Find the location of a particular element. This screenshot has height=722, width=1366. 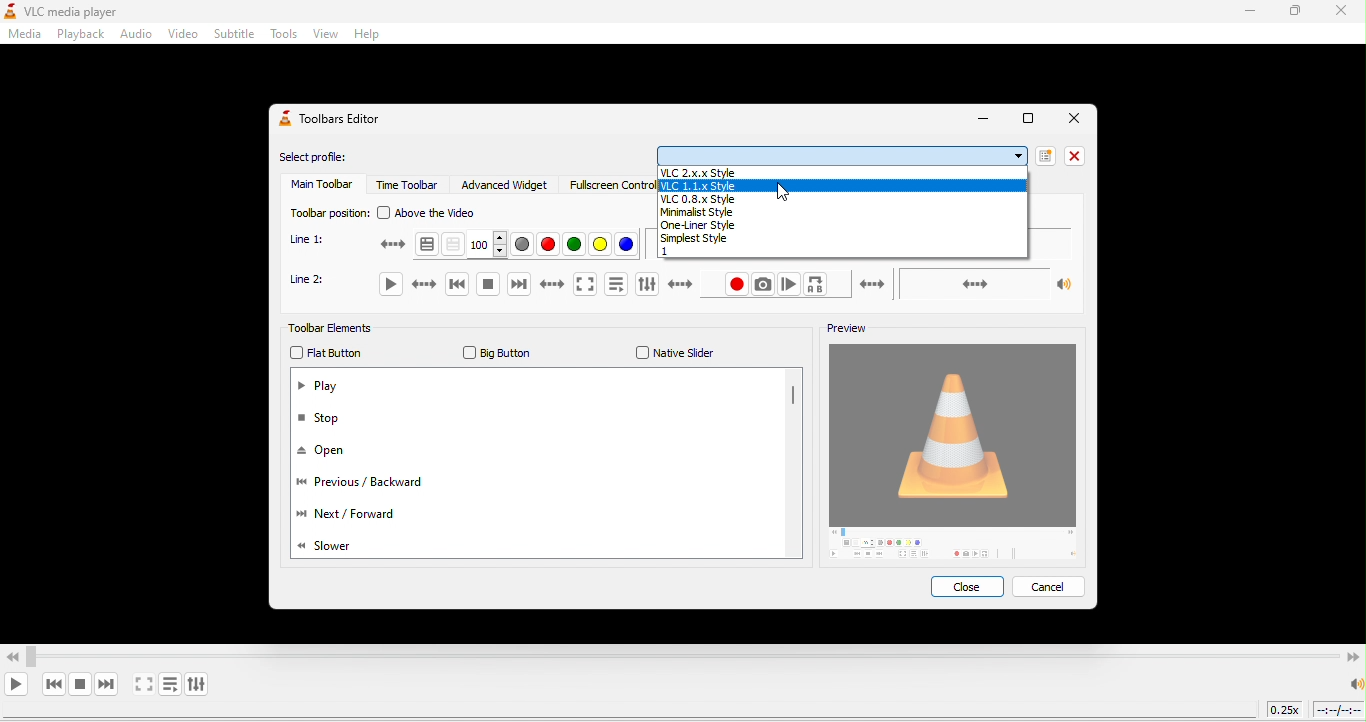

one liner style is located at coordinates (841, 224).